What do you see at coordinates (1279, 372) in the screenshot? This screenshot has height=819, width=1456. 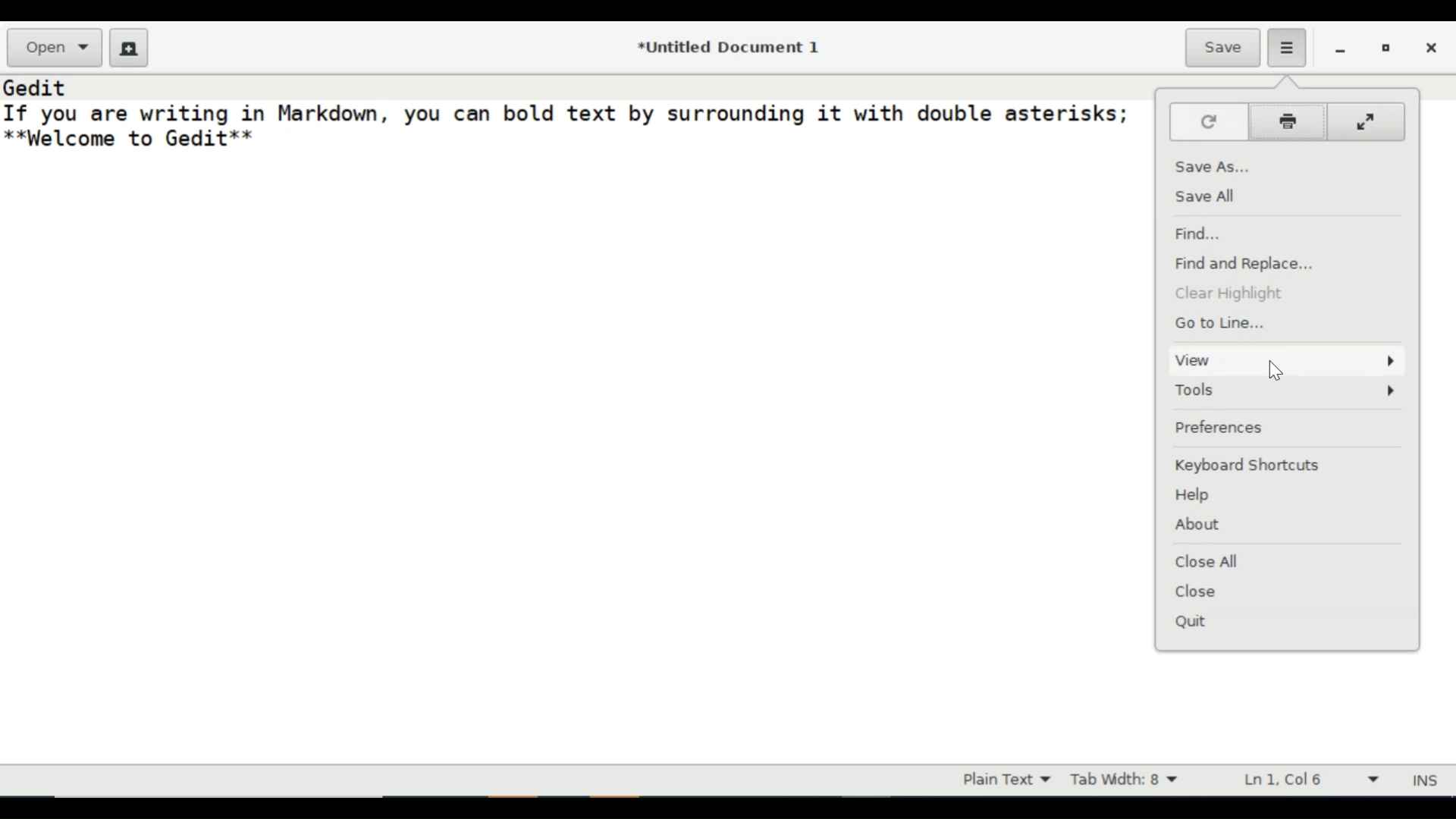 I see `cursor` at bounding box center [1279, 372].